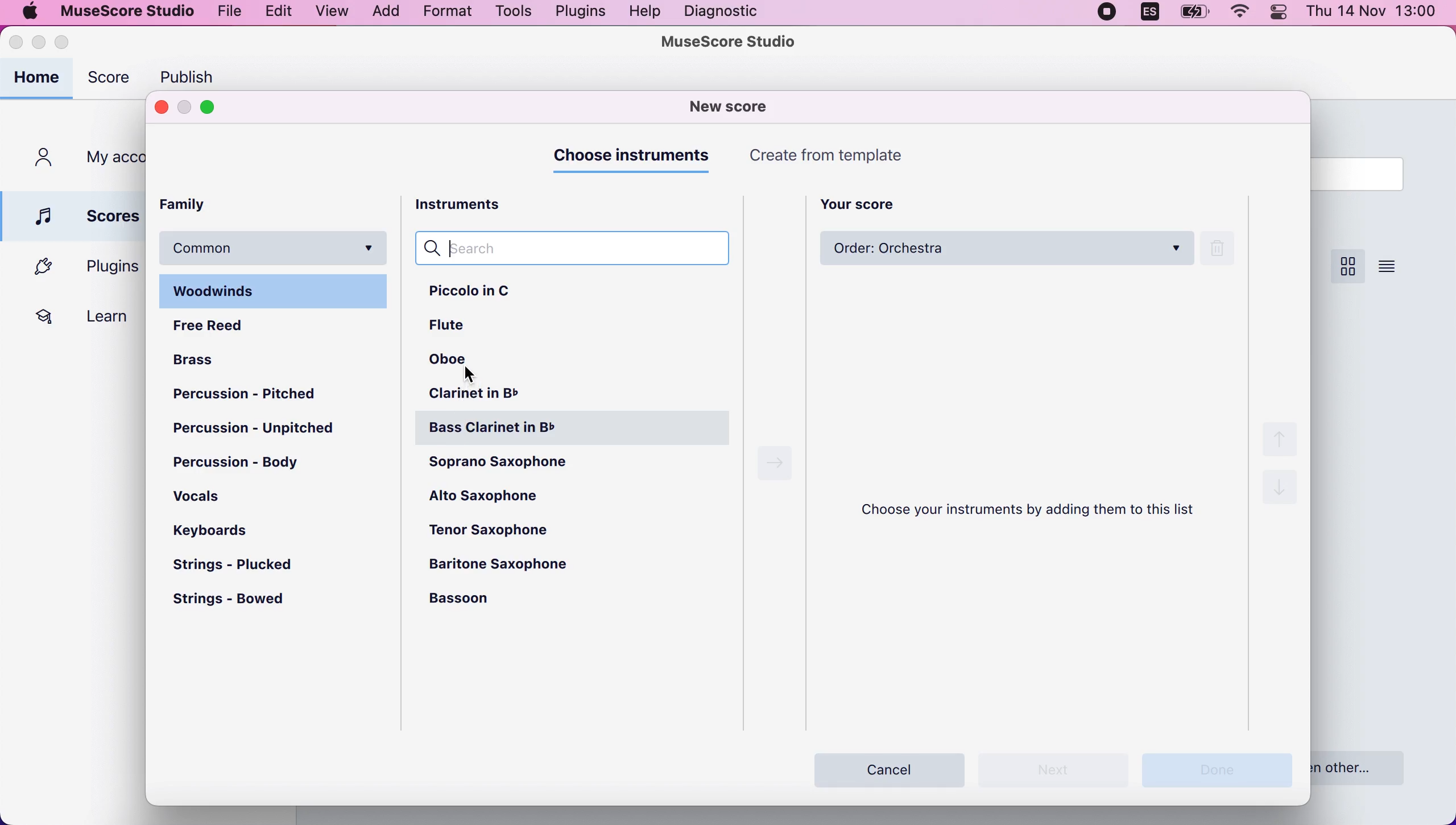 The image size is (1456, 825). Describe the element at coordinates (1224, 770) in the screenshot. I see `done` at that location.